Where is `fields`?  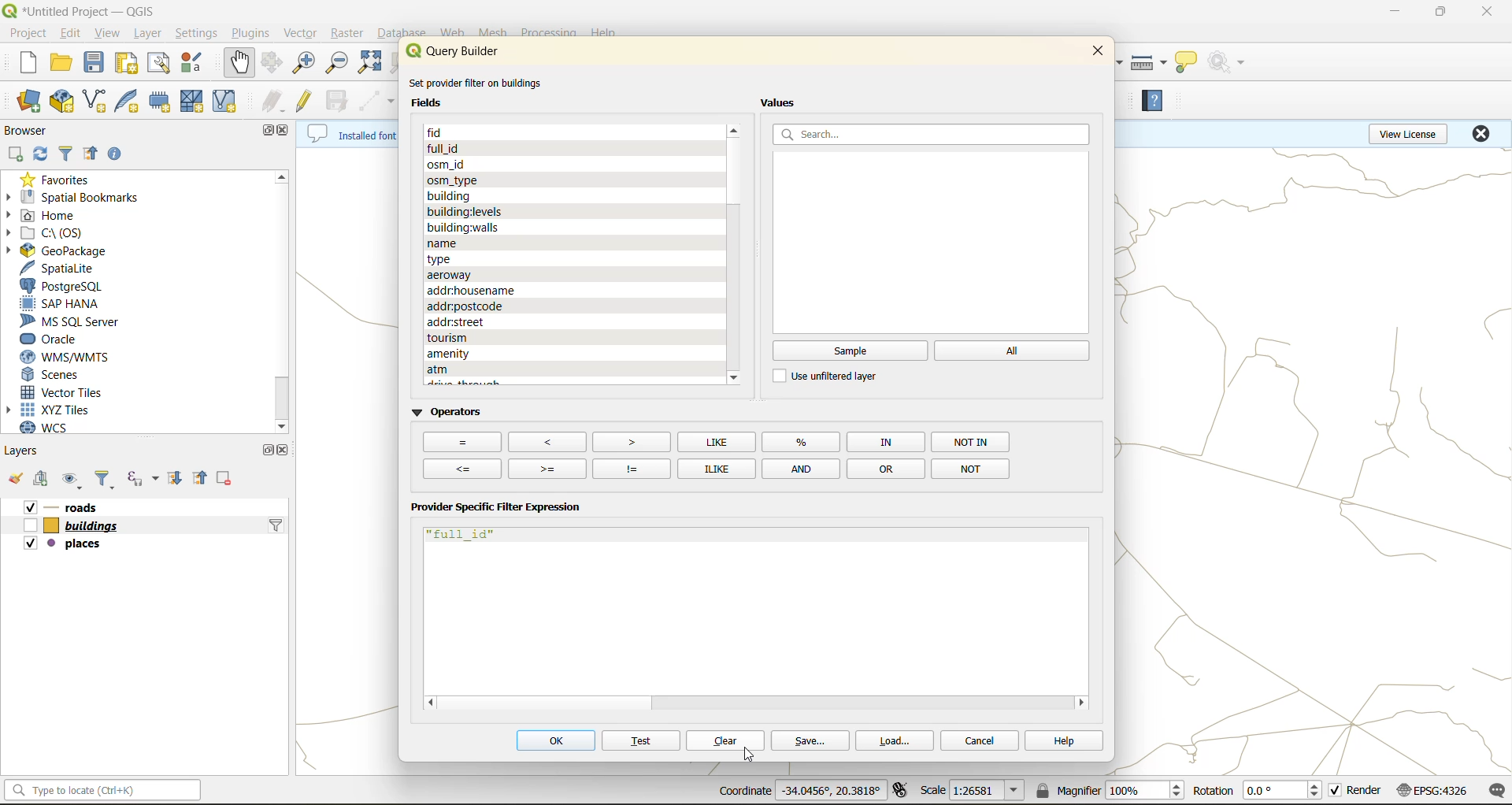
fields is located at coordinates (435, 103).